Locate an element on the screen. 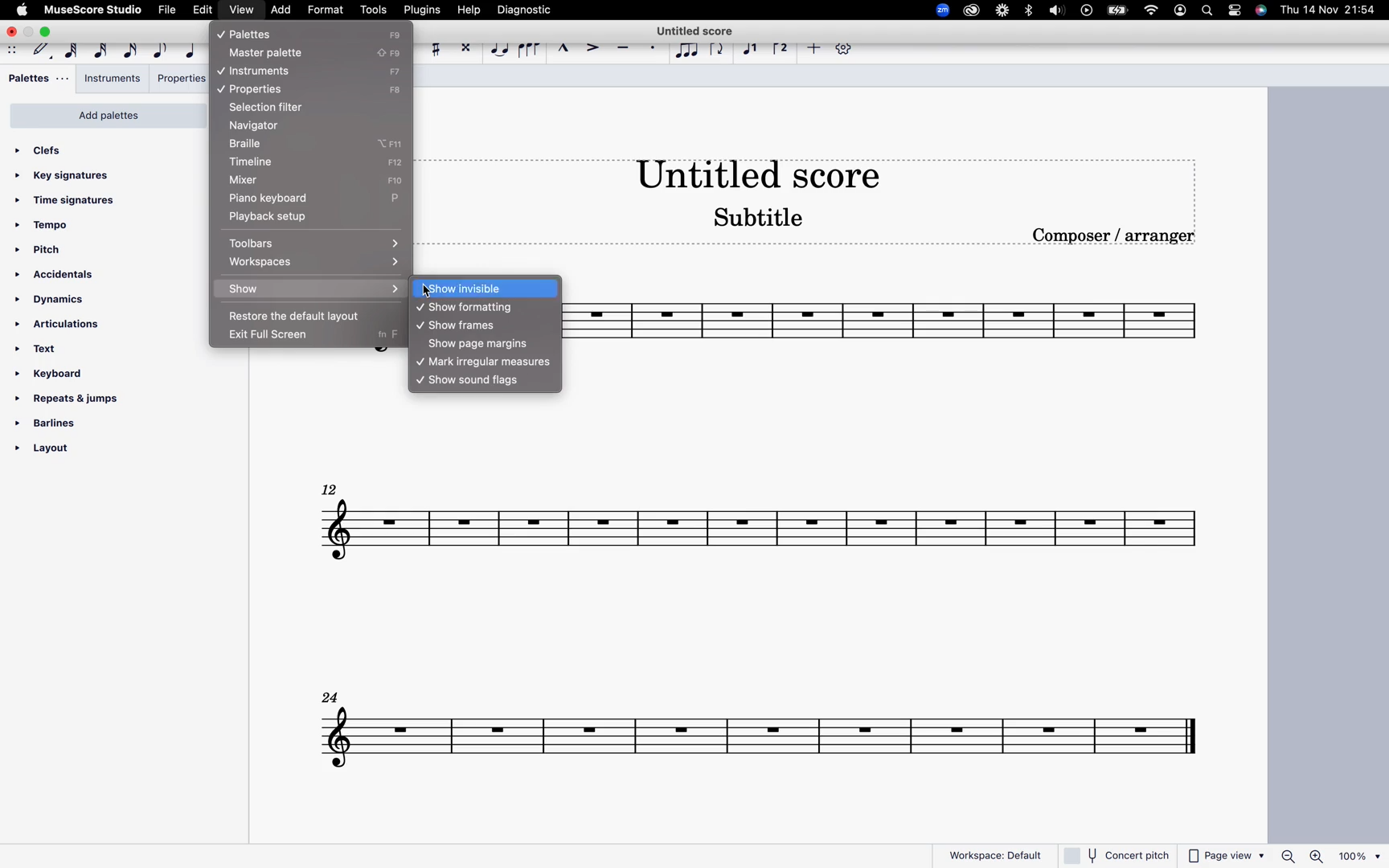  exit full screen is located at coordinates (290, 335).